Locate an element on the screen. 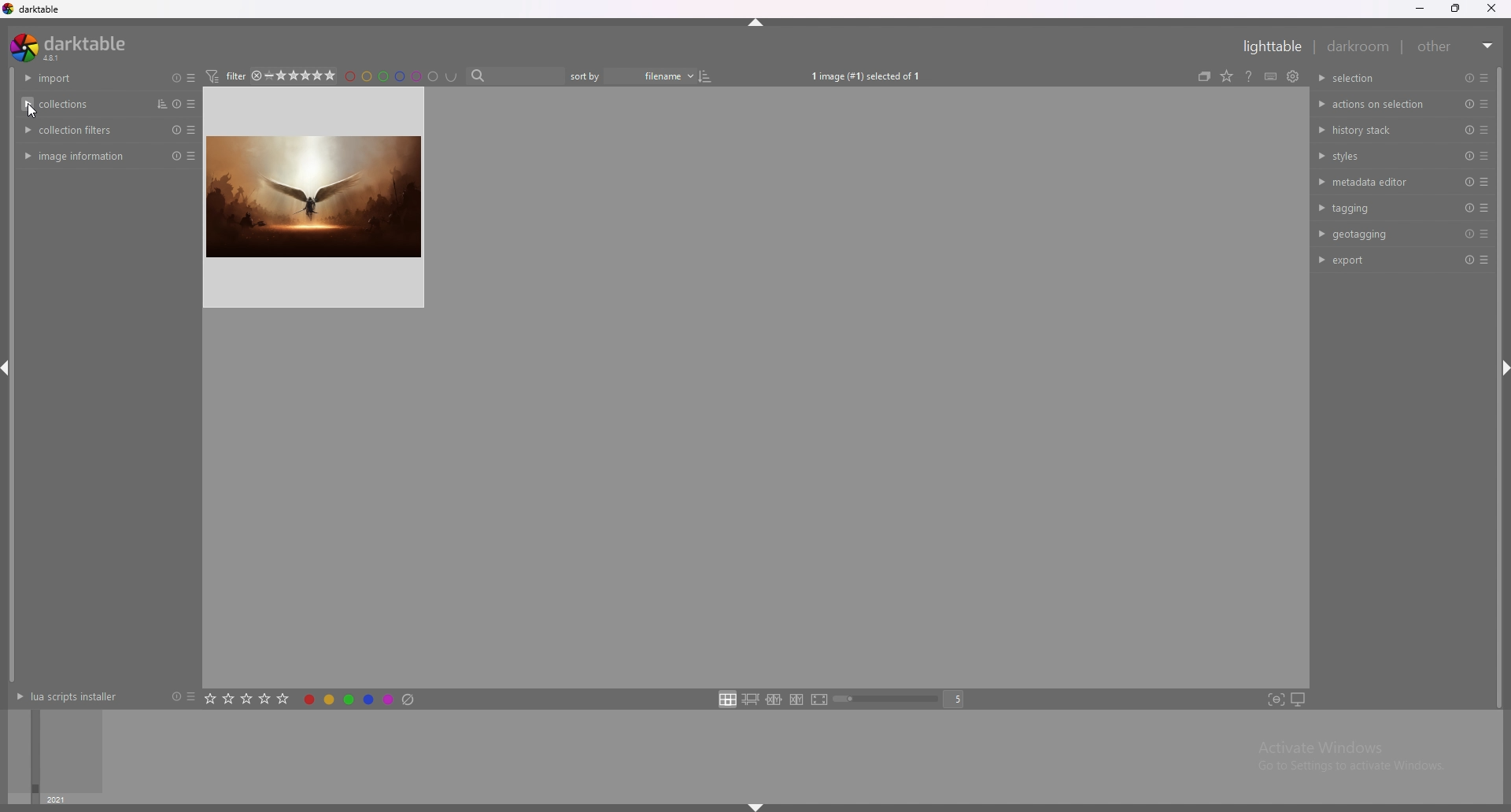 The height and width of the screenshot is (812, 1511). import is located at coordinates (79, 78).